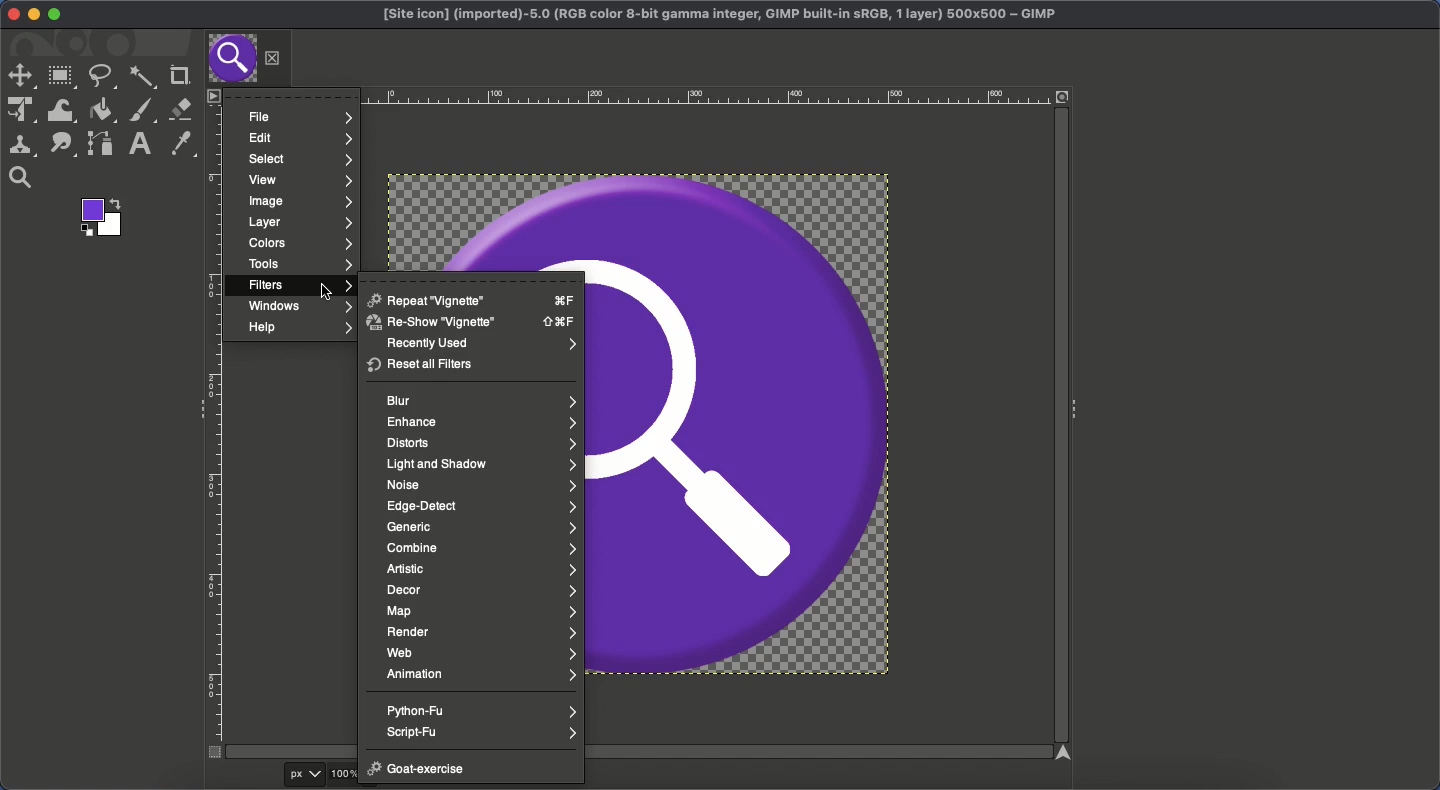 Image resolution: width=1440 pixels, height=790 pixels. I want to click on Help, so click(298, 329).